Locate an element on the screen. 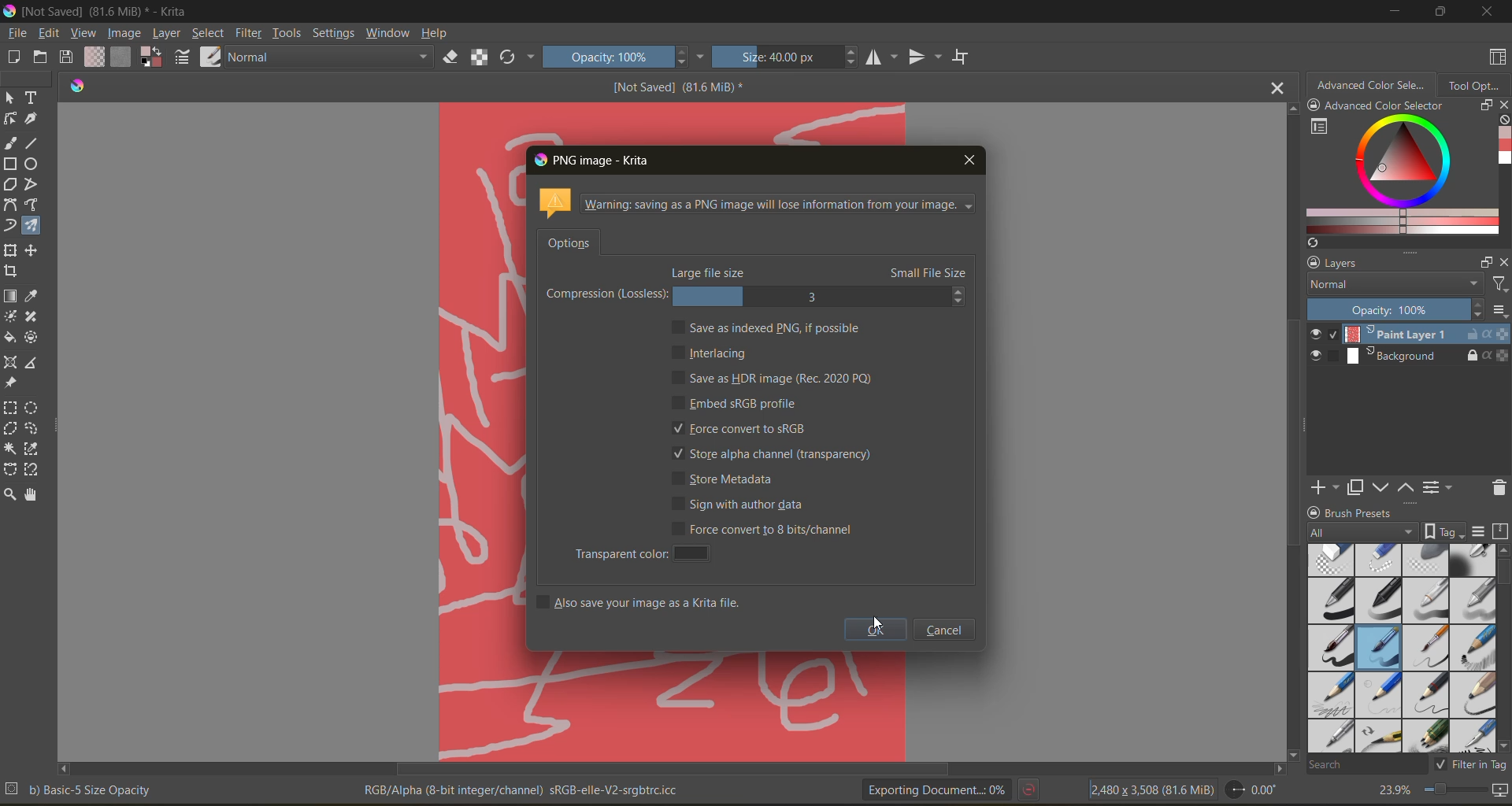 This screenshot has height=806, width=1512. advanced color selector is located at coordinates (1371, 83).